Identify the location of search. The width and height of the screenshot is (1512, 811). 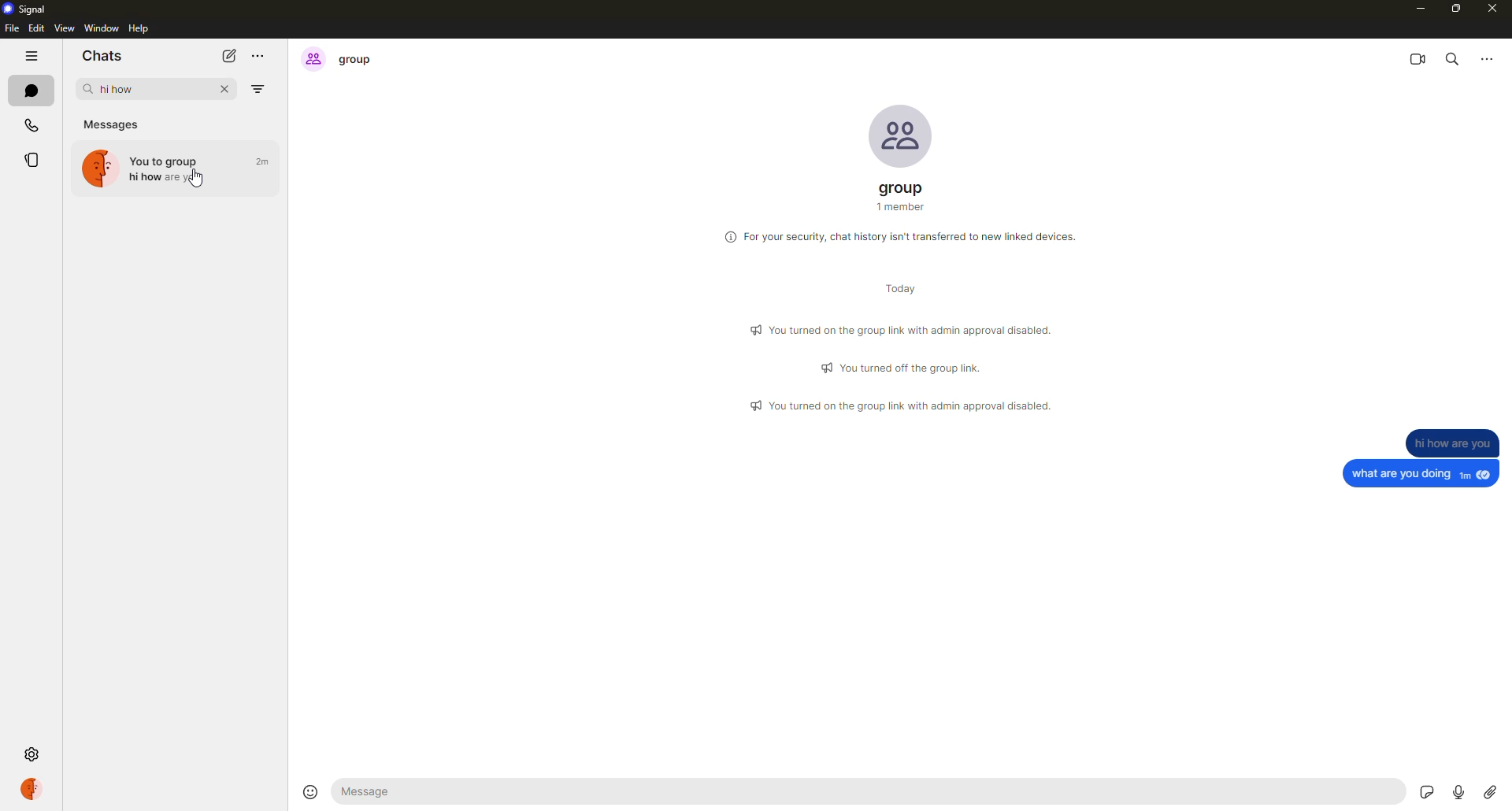
(1453, 57).